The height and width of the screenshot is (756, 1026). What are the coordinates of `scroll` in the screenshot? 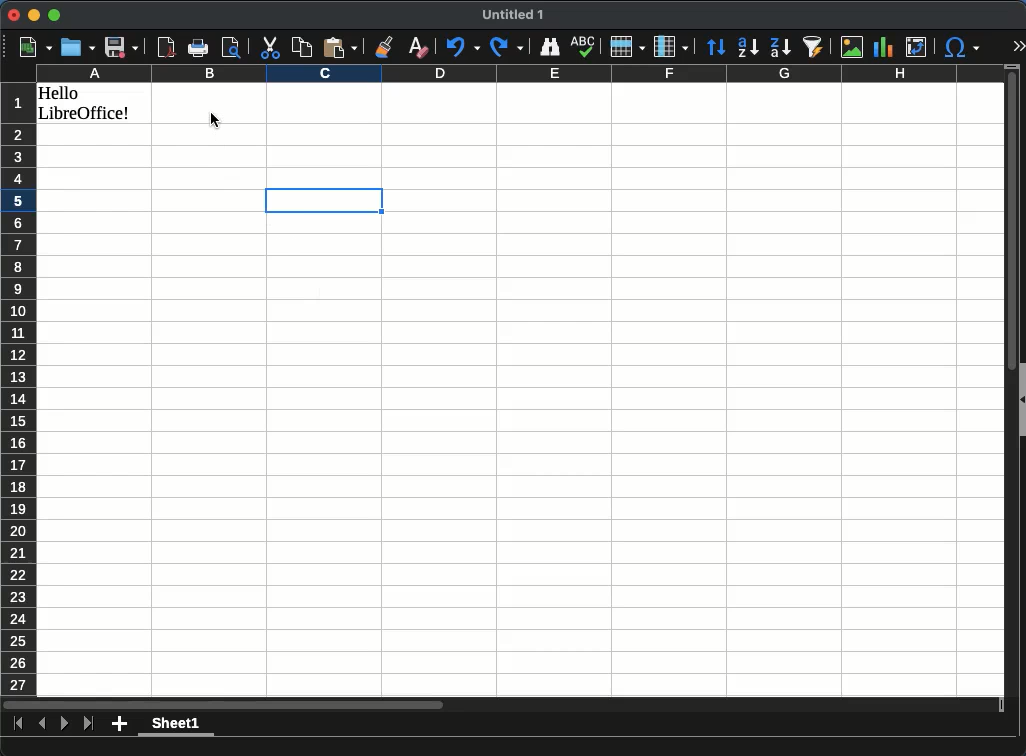 It's located at (1005, 381).